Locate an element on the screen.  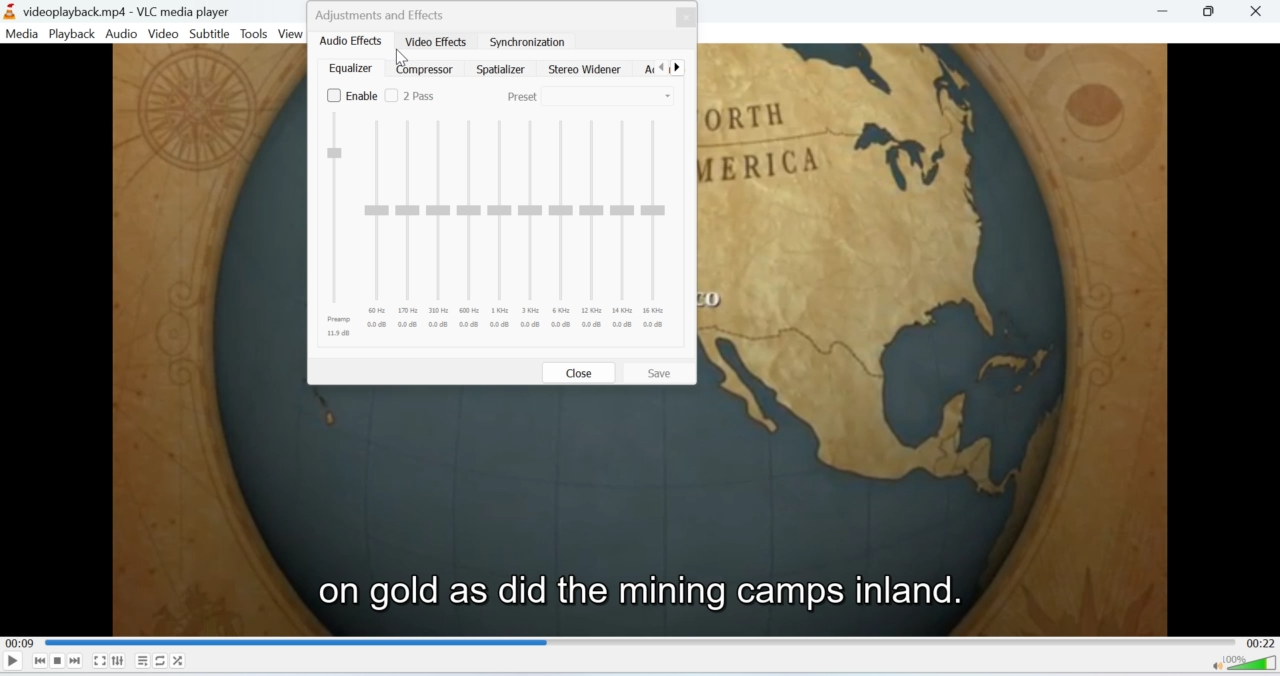
video effects is located at coordinates (436, 42).